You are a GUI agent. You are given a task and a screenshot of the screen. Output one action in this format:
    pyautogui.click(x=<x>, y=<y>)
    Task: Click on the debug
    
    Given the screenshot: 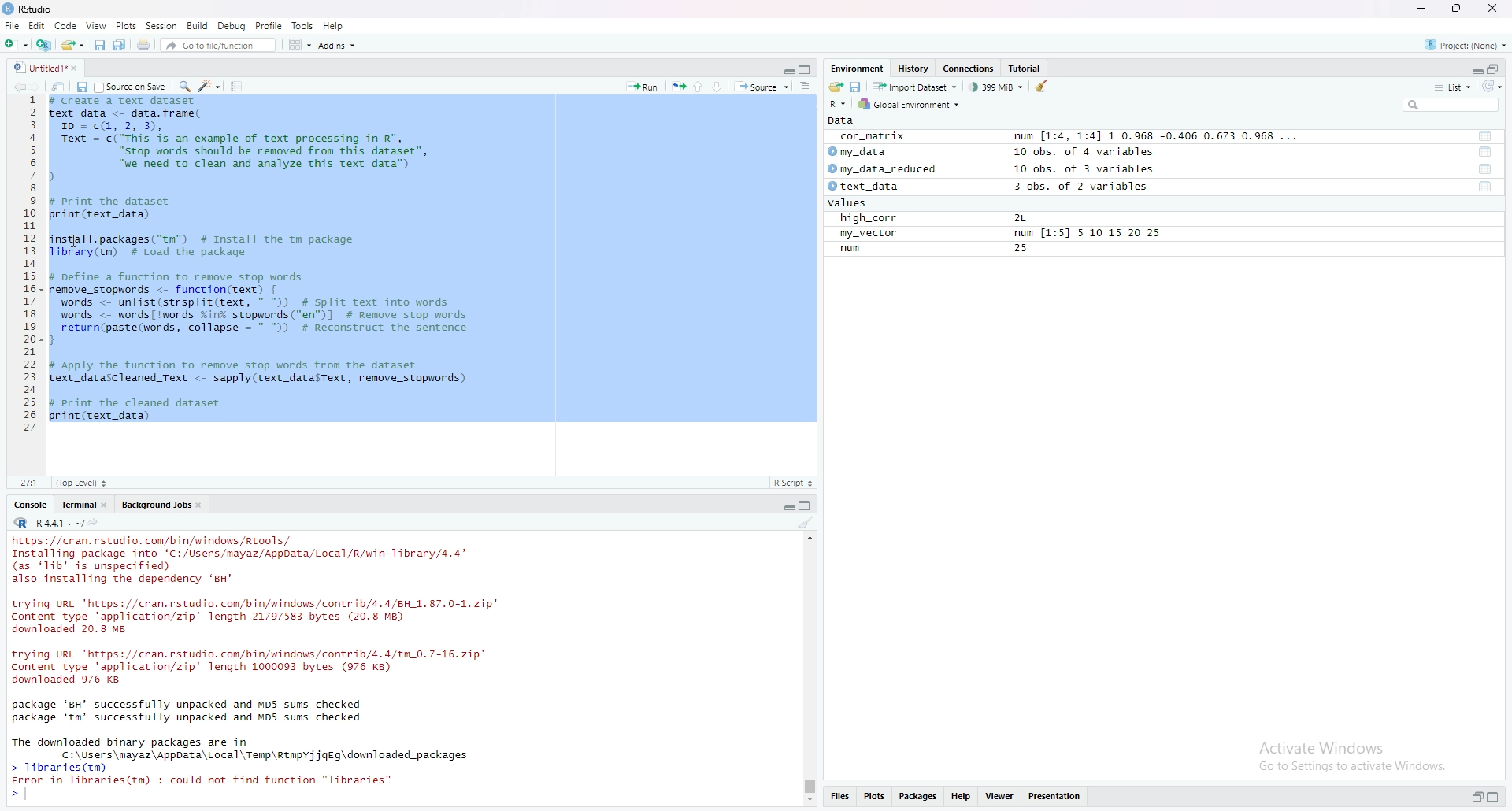 What is the action you would take?
    pyautogui.click(x=232, y=26)
    